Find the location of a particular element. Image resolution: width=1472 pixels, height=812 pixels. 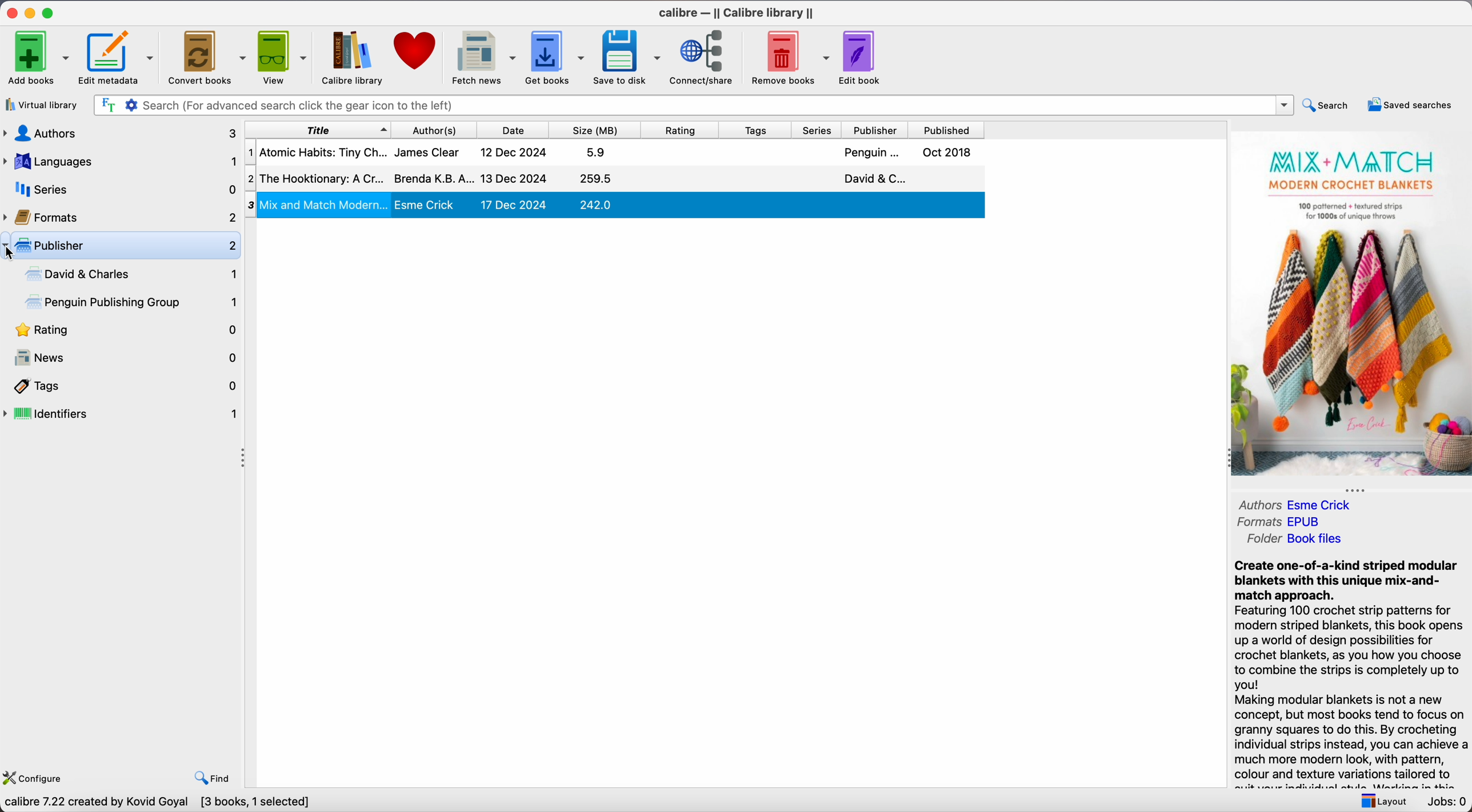

series is located at coordinates (119, 189).